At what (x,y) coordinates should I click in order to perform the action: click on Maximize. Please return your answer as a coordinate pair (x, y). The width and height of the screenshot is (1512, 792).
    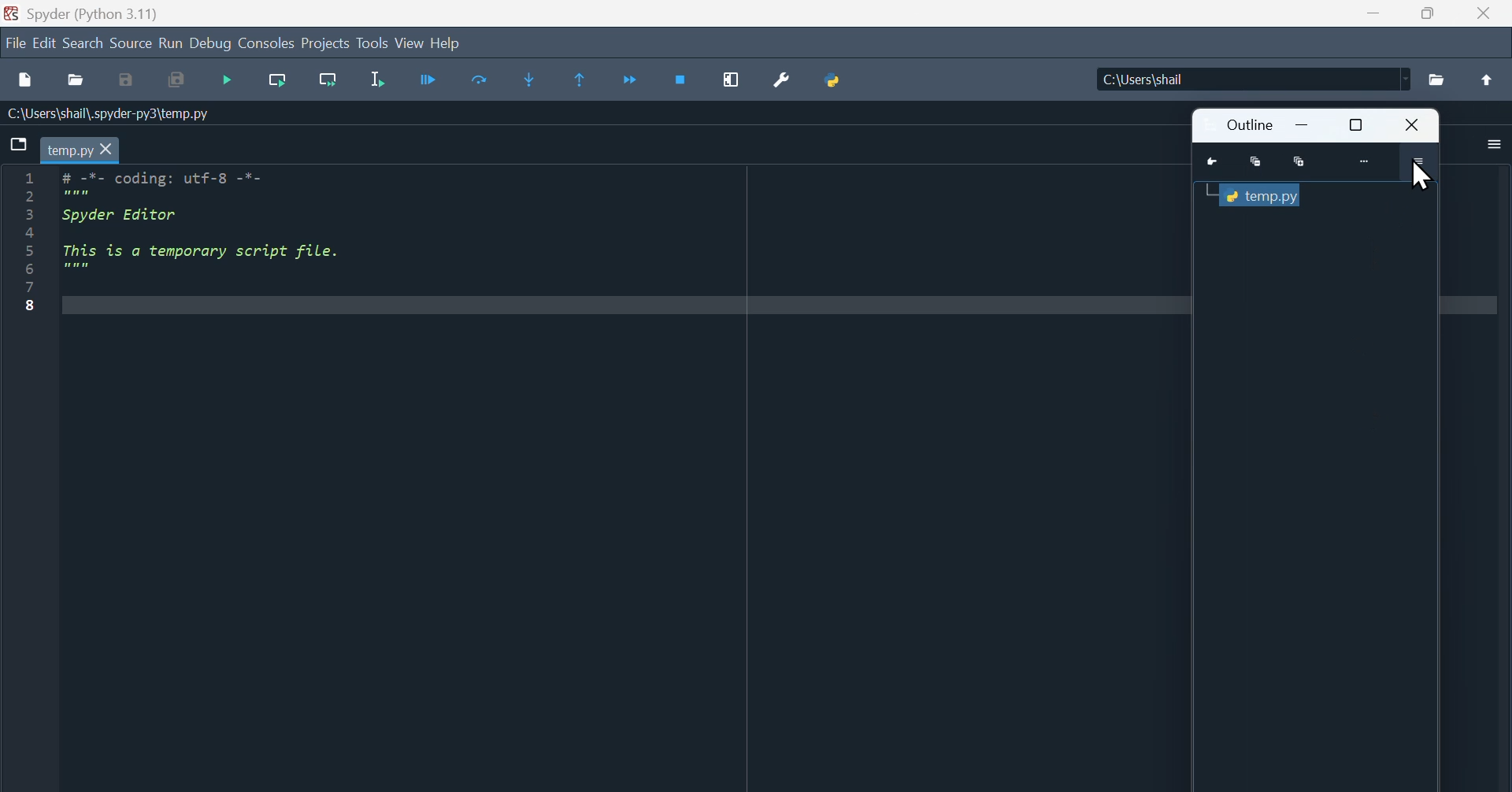
    Looking at the image, I should click on (1299, 162).